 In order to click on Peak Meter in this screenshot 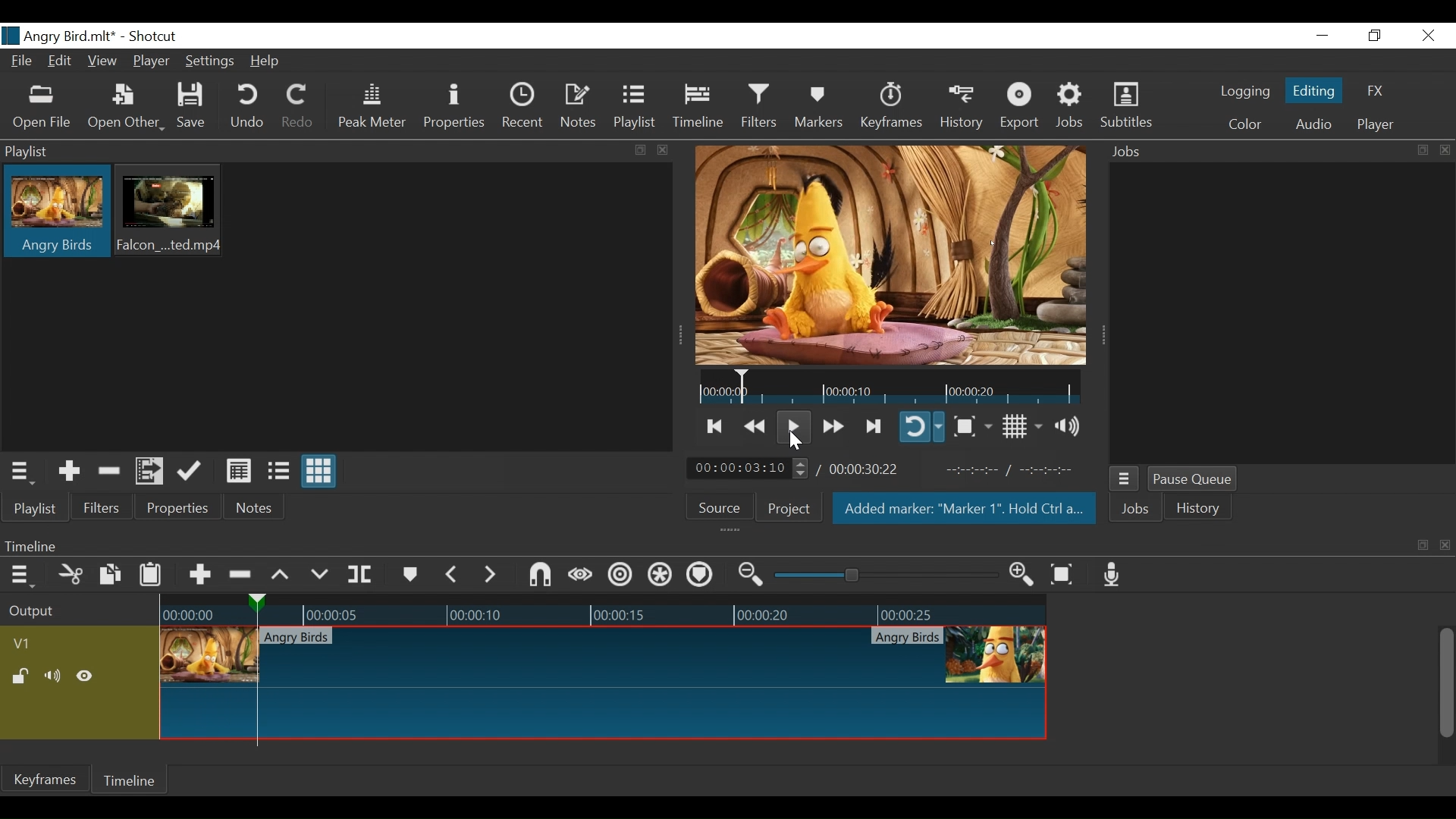, I will do `click(372, 108)`.